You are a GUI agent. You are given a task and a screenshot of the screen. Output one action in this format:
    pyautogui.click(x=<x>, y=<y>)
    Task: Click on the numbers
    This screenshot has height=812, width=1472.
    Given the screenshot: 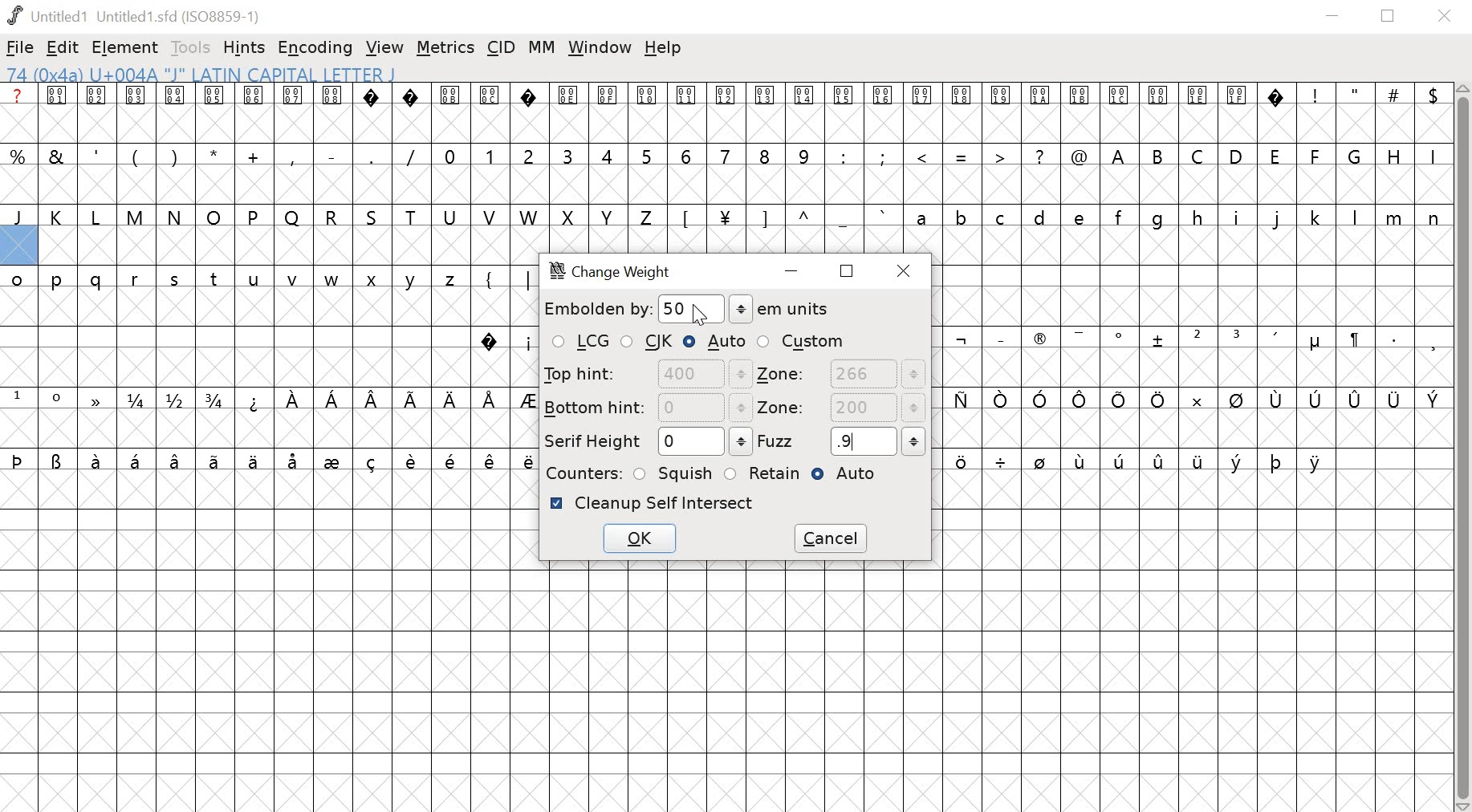 What is the action you would take?
    pyautogui.click(x=626, y=155)
    